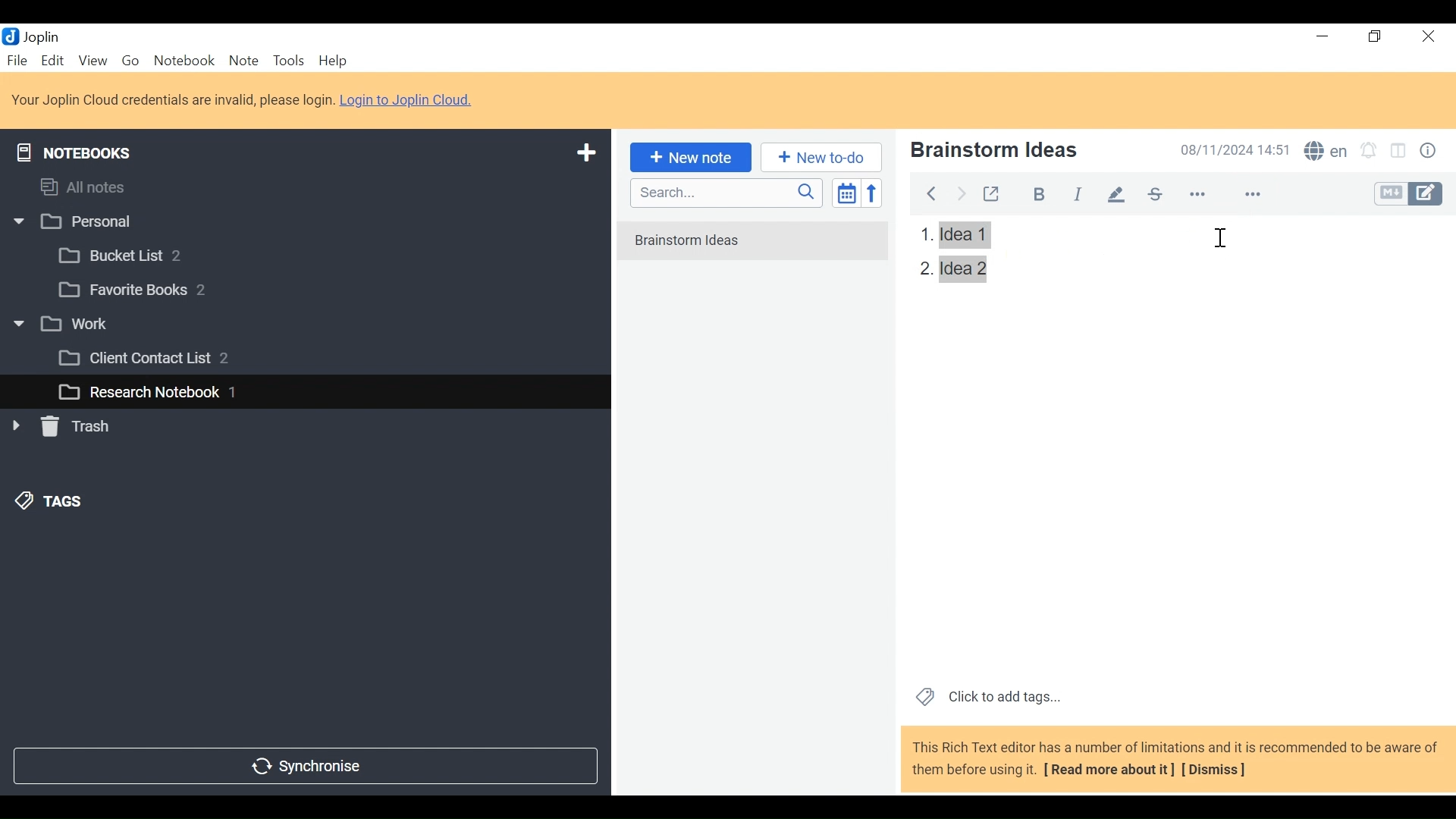 This screenshot has height=819, width=1456. Describe the element at coordinates (1026, 152) in the screenshot. I see `Note Name` at that location.